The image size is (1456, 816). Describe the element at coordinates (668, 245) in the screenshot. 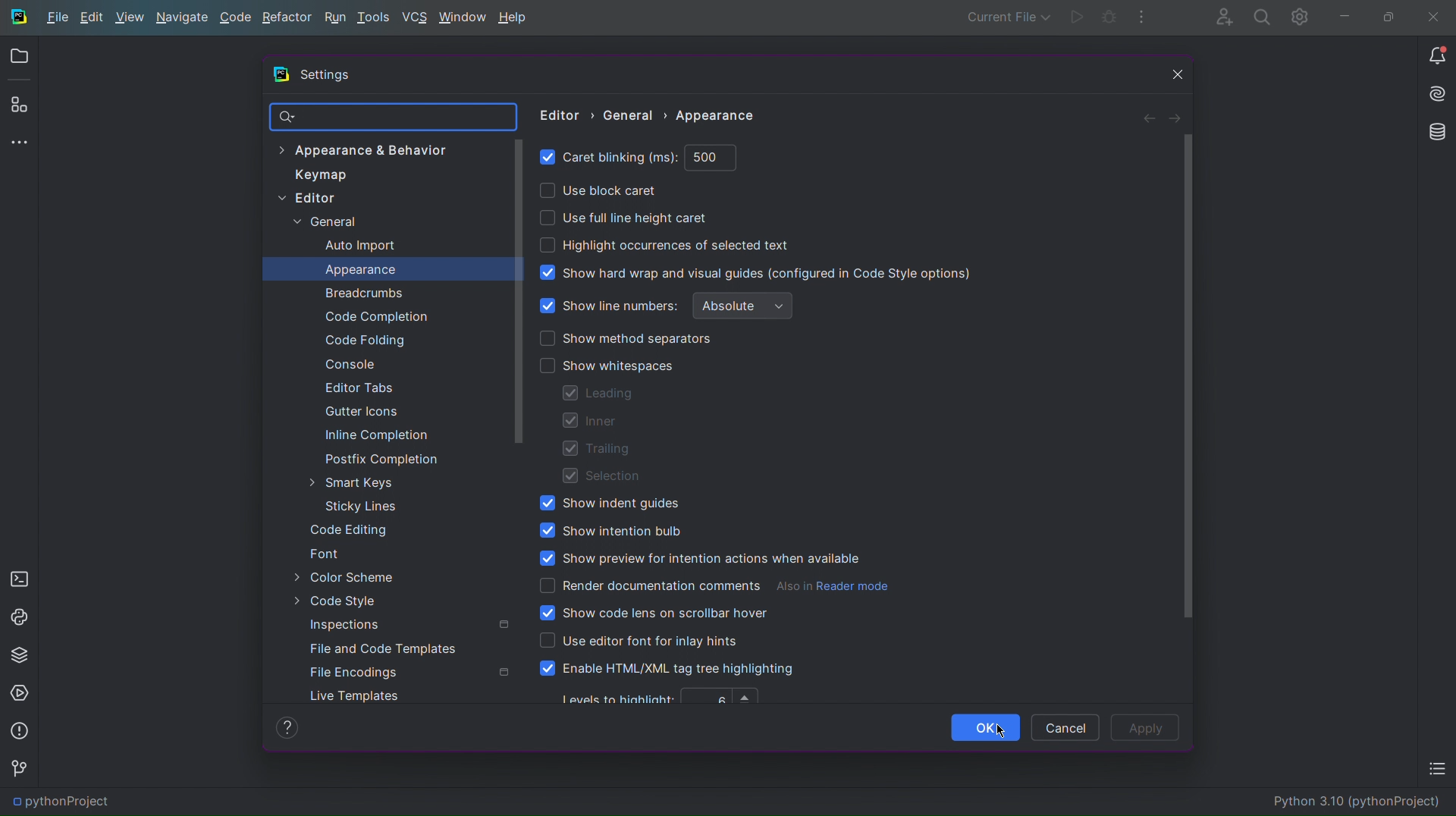

I see `Highlight occurrences of selected text` at that location.